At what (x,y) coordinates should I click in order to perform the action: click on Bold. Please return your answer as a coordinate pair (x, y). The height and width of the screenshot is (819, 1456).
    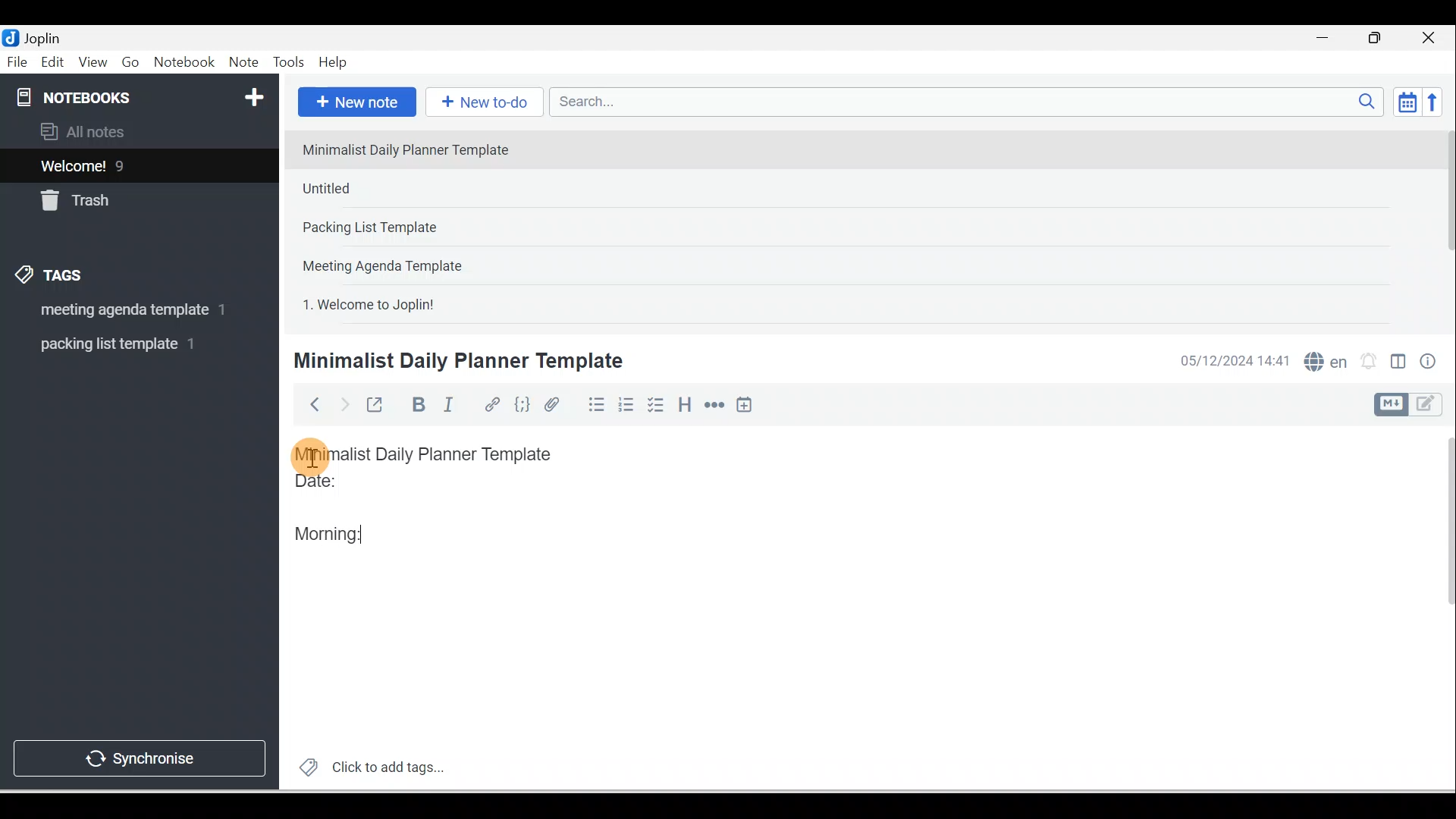
    Looking at the image, I should click on (416, 405).